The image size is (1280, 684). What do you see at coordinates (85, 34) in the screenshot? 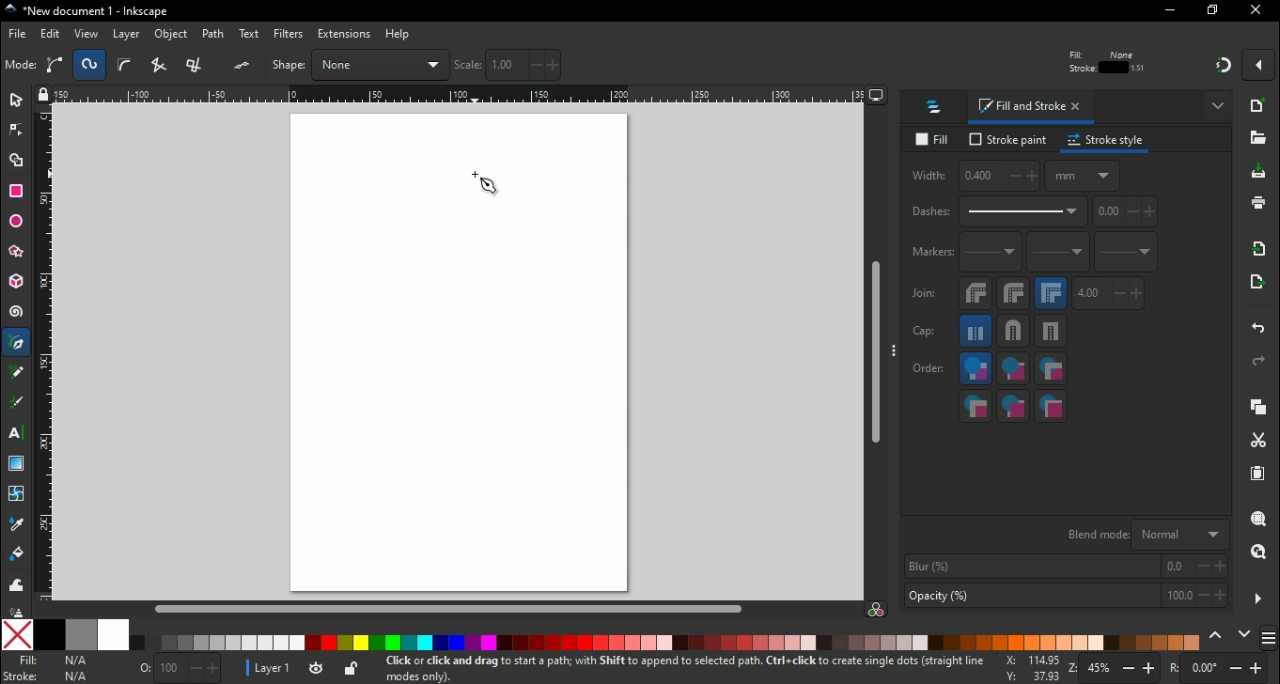
I see `view` at bounding box center [85, 34].